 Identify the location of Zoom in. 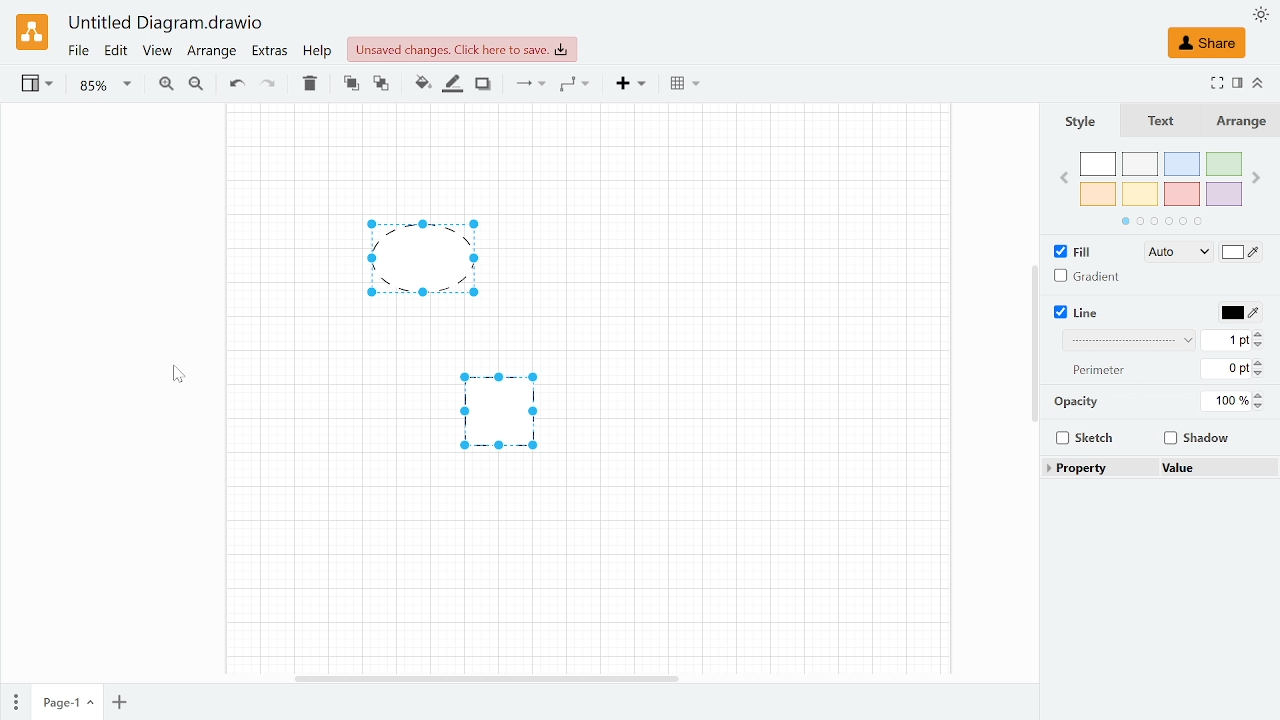
(166, 84).